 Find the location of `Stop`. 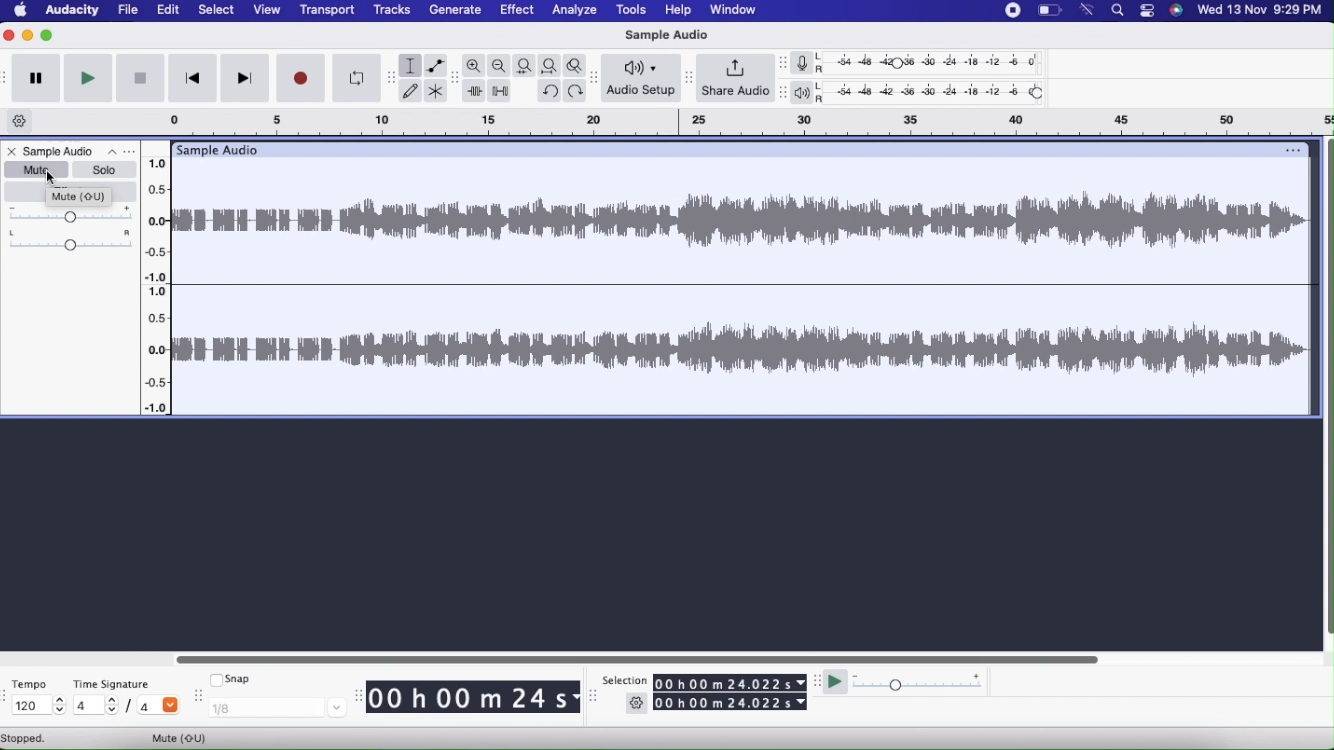

Stop is located at coordinates (141, 78).